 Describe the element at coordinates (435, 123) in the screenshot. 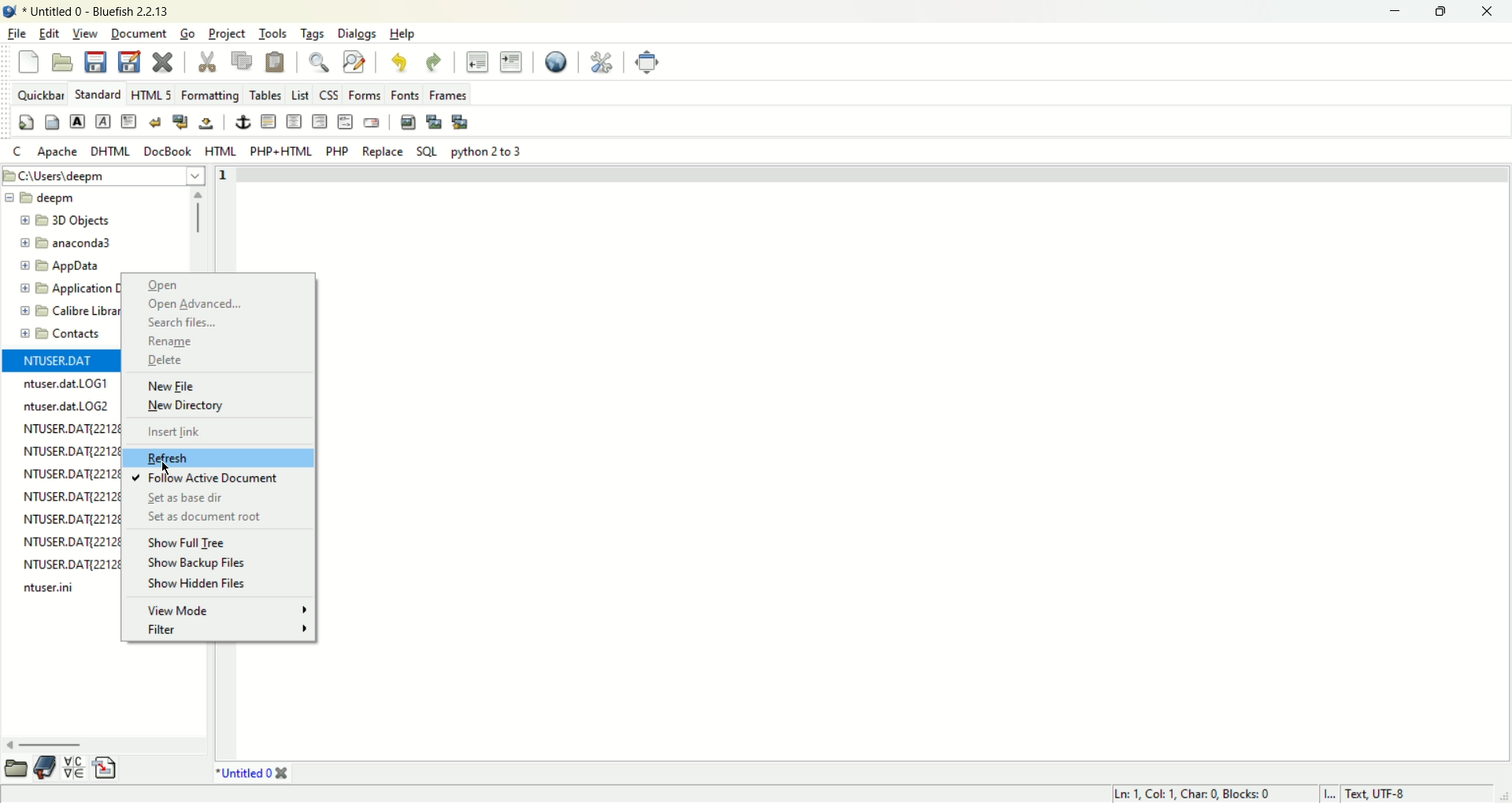

I see `insert thumbnail` at that location.